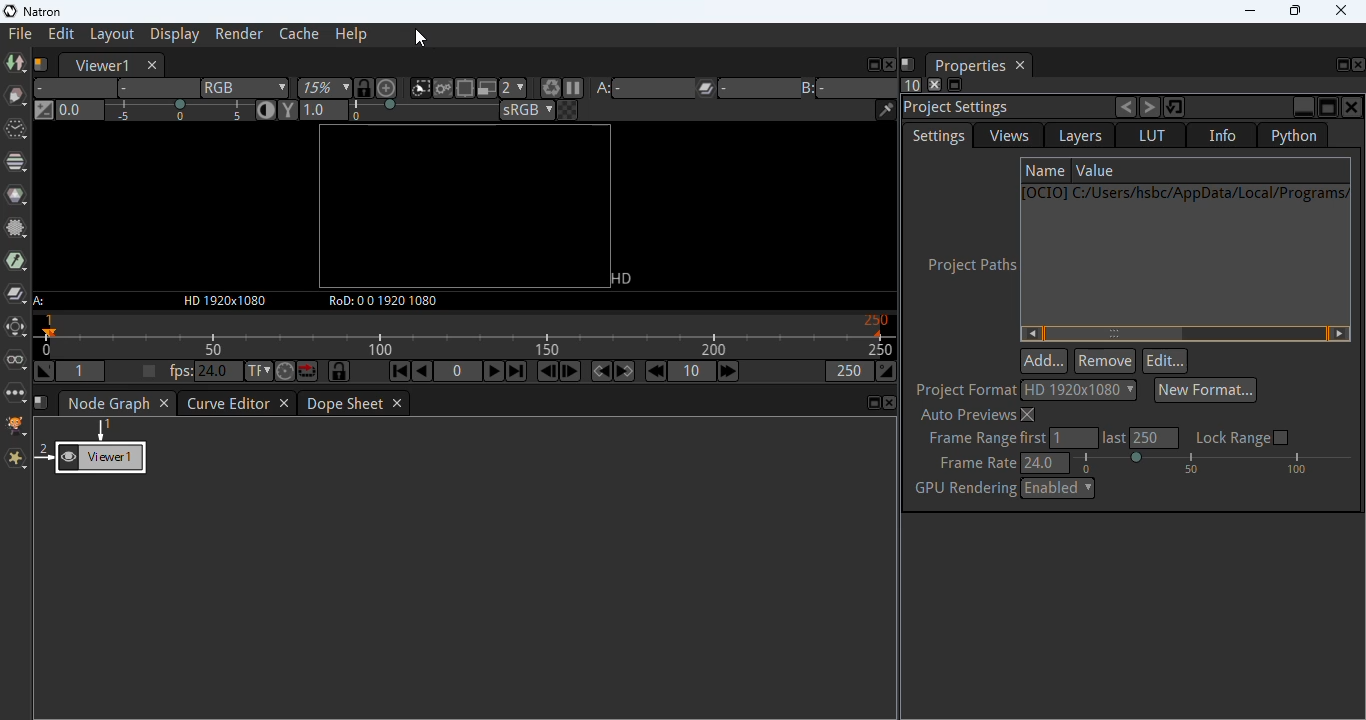 This screenshot has height=720, width=1366. Describe the element at coordinates (61, 33) in the screenshot. I see `edit` at that location.